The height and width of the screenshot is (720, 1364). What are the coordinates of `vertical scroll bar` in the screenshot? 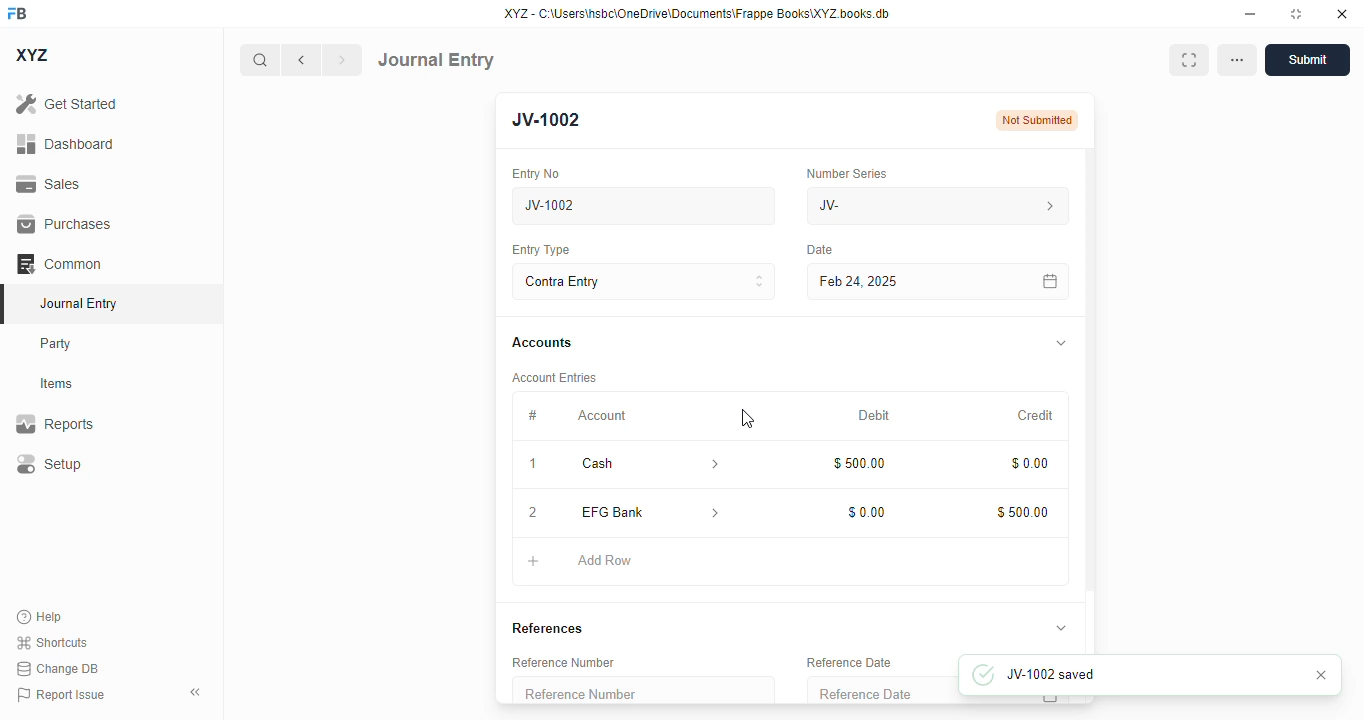 It's located at (1089, 400).